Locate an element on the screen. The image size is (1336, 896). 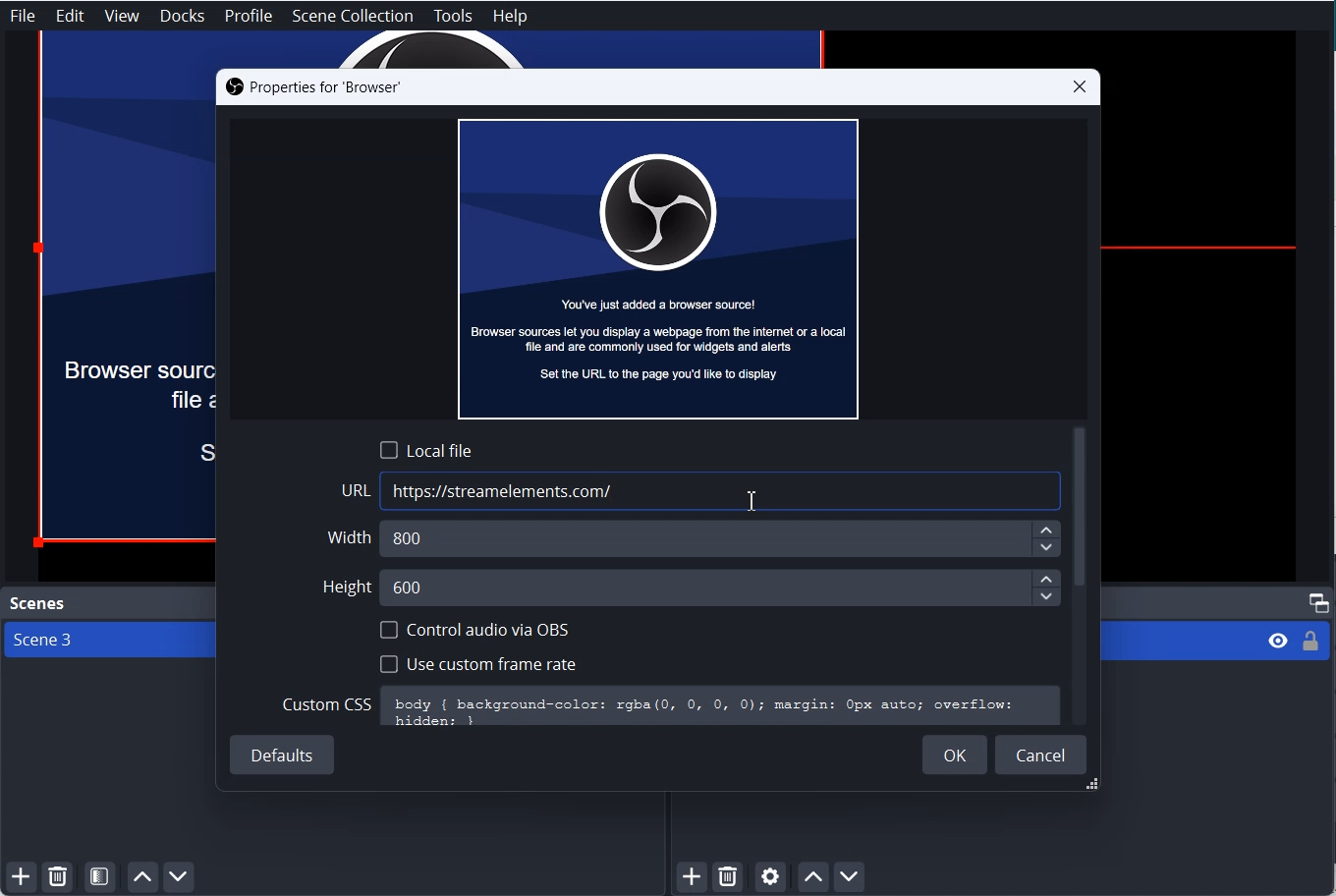
File is located at coordinates (23, 15).